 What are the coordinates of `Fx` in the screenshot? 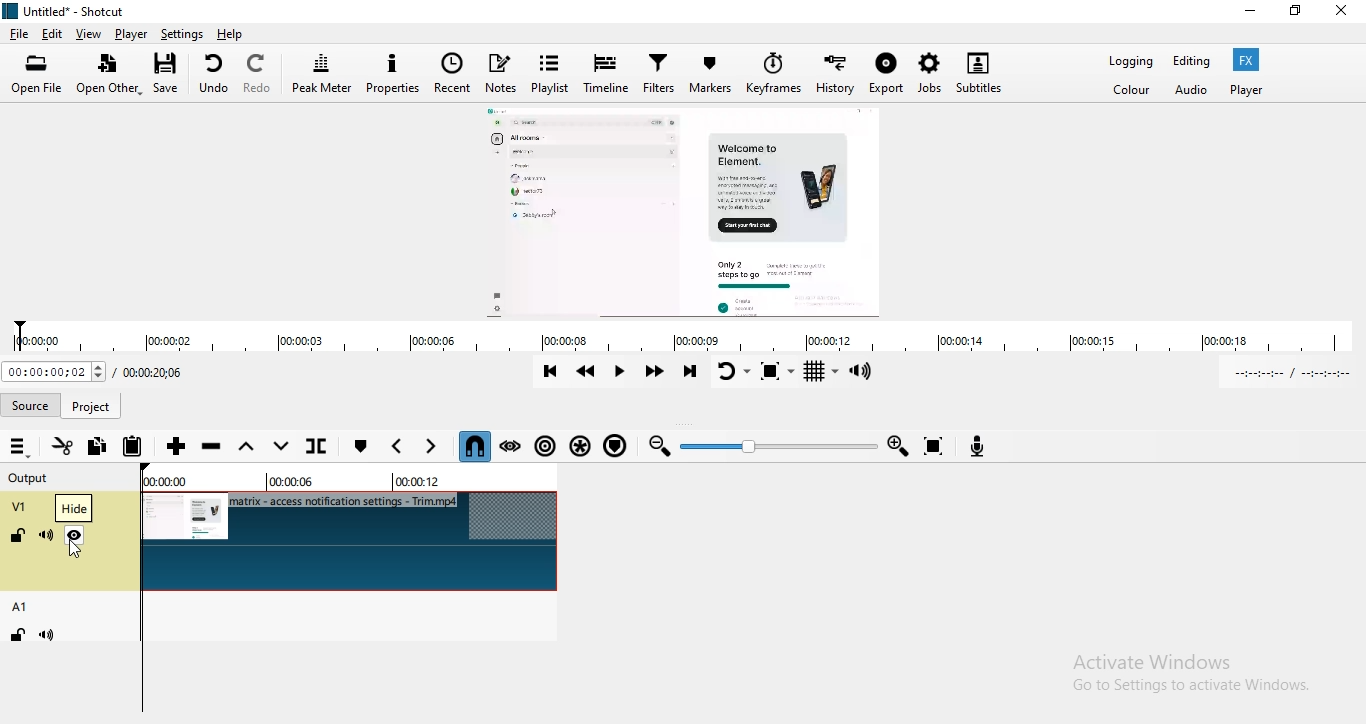 It's located at (1249, 60).